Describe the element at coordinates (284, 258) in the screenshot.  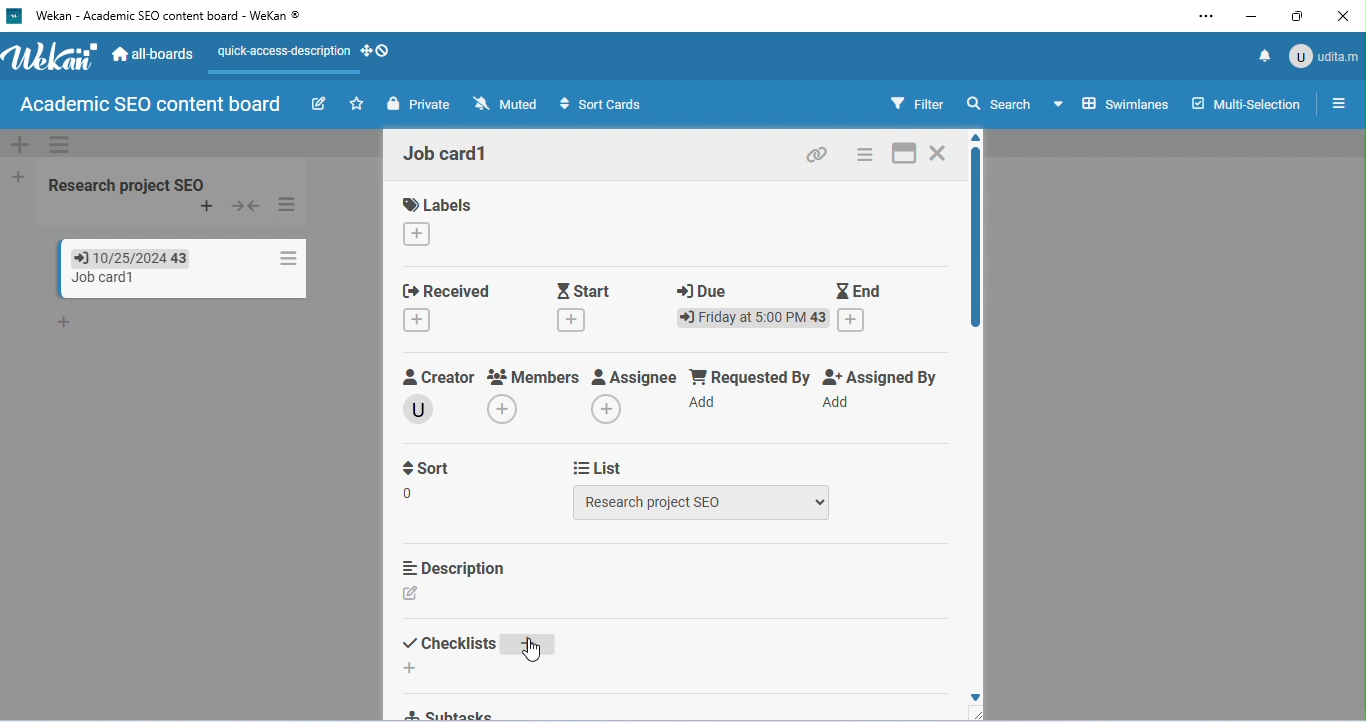
I see `card actions` at that location.